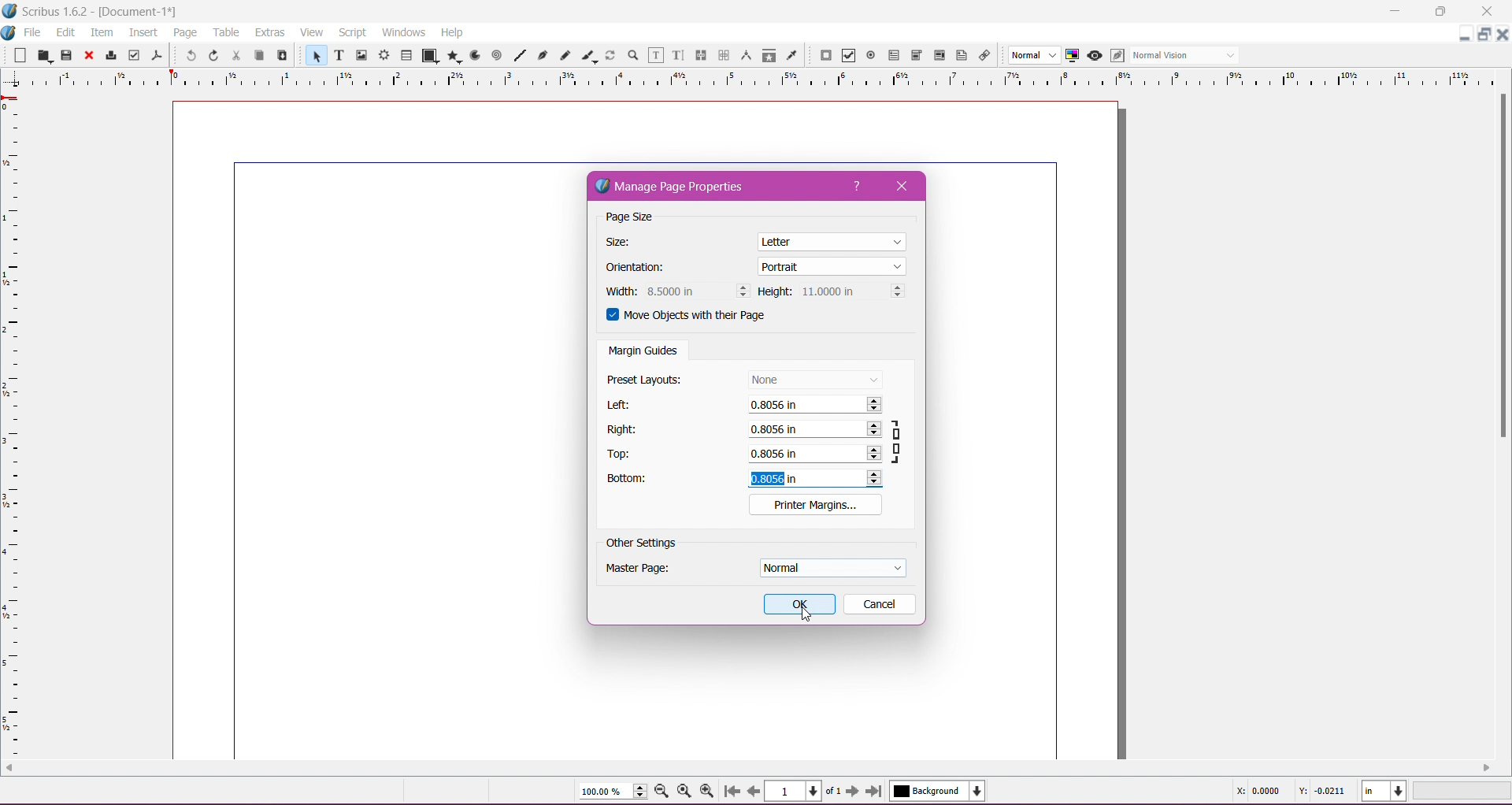 The width and height of the screenshot is (1512, 805). Describe the element at coordinates (832, 265) in the screenshot. I see `Set Page Orientation` at that location.